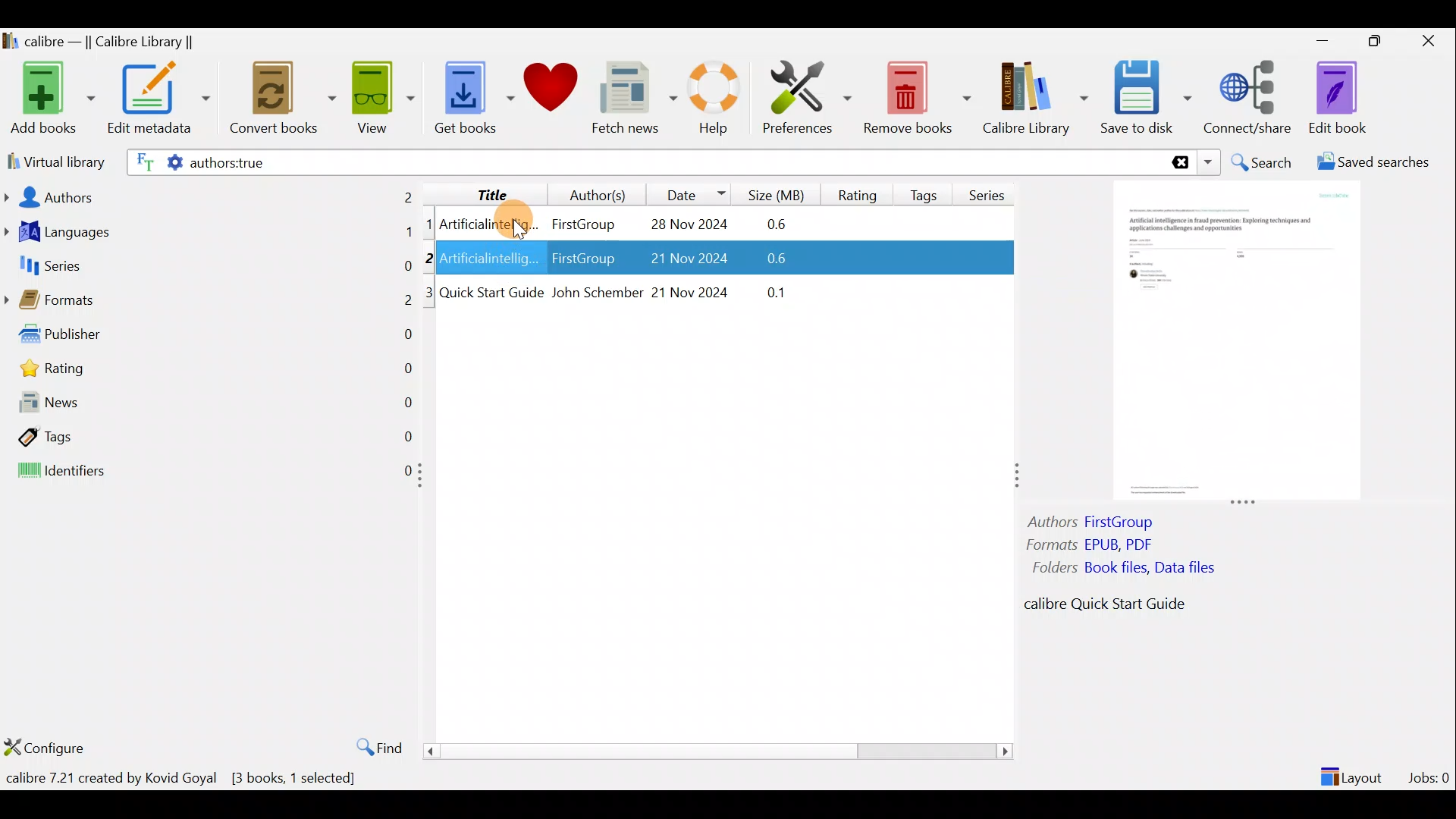 The image size is (1456, 819). I want to click on Save to disk, so click(1146, 98).